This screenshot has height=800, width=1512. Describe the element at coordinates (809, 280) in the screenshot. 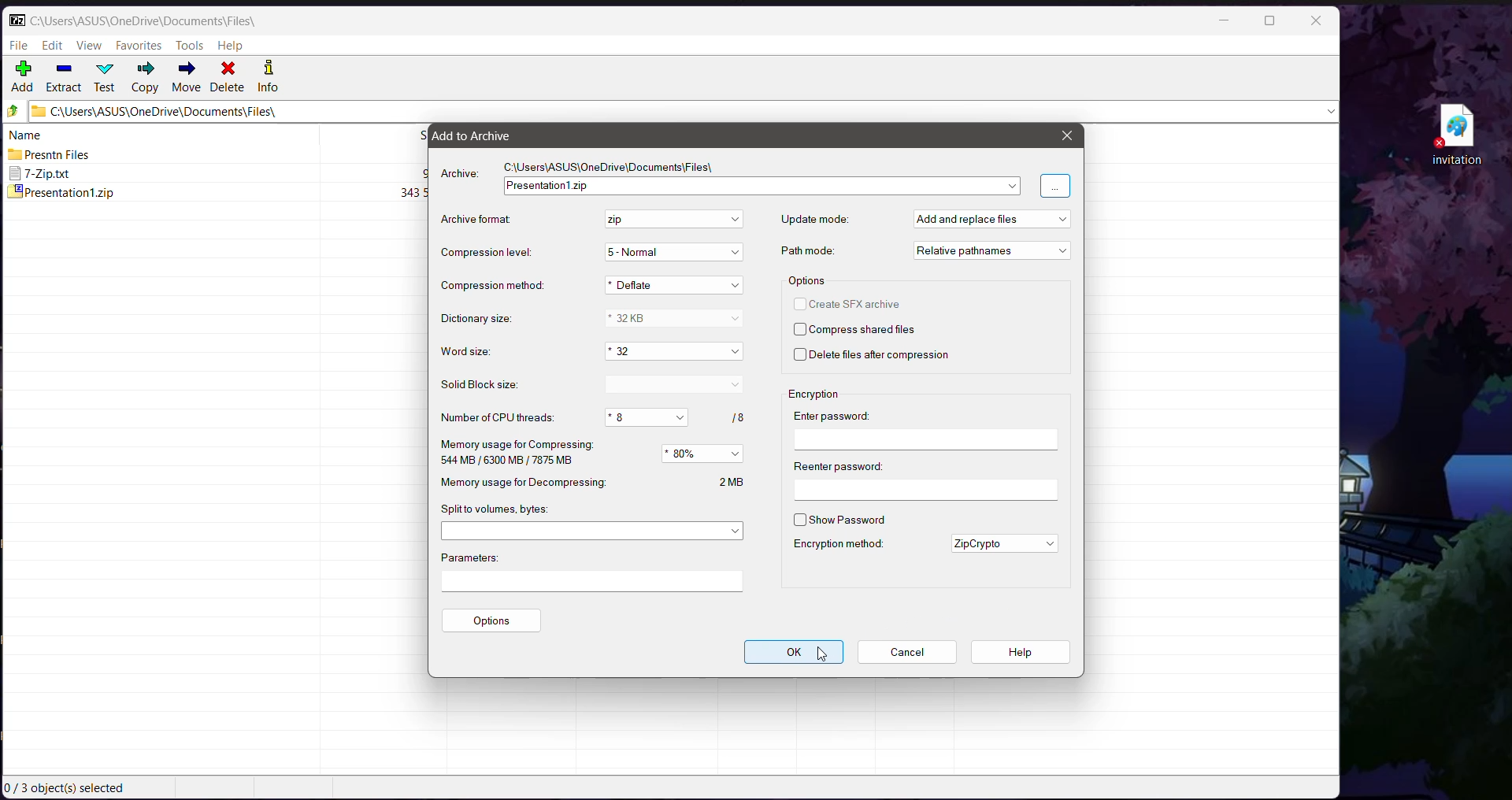

I see `Options` at that location.